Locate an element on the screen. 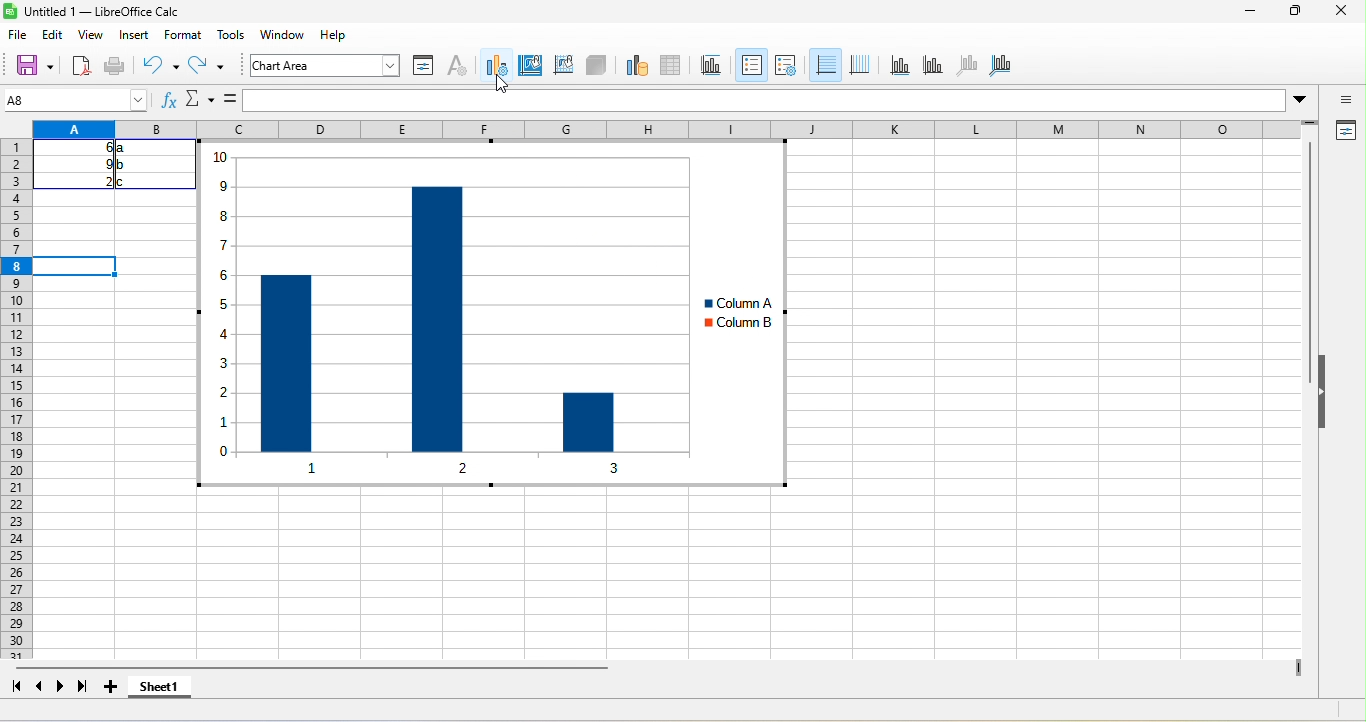 Image resolution: width=1366 pixels, height=722 pixels. file is located at coordinates (18, 35).